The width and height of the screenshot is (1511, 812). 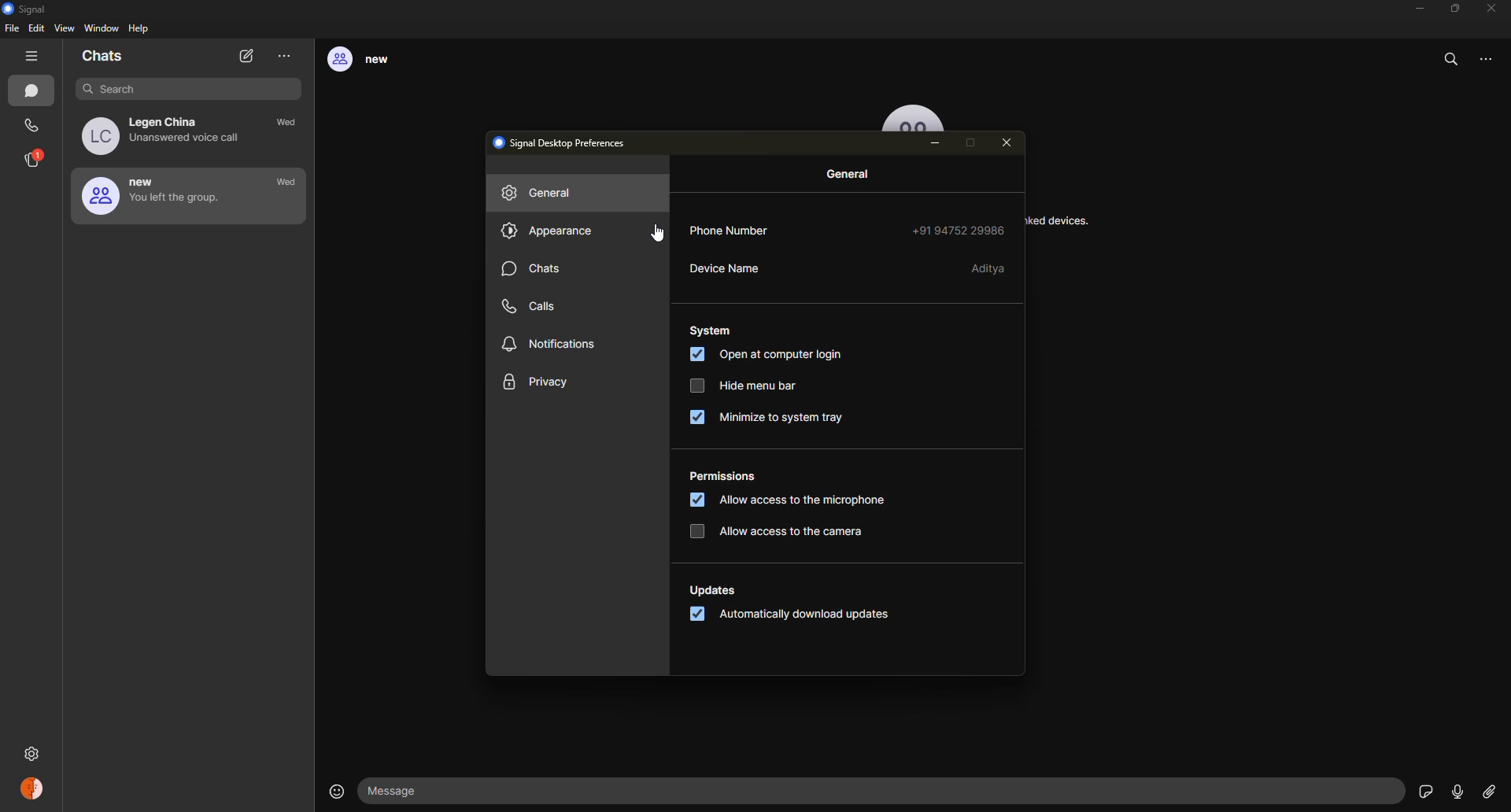 I want to click on new chat, so click(x=248, y=57).